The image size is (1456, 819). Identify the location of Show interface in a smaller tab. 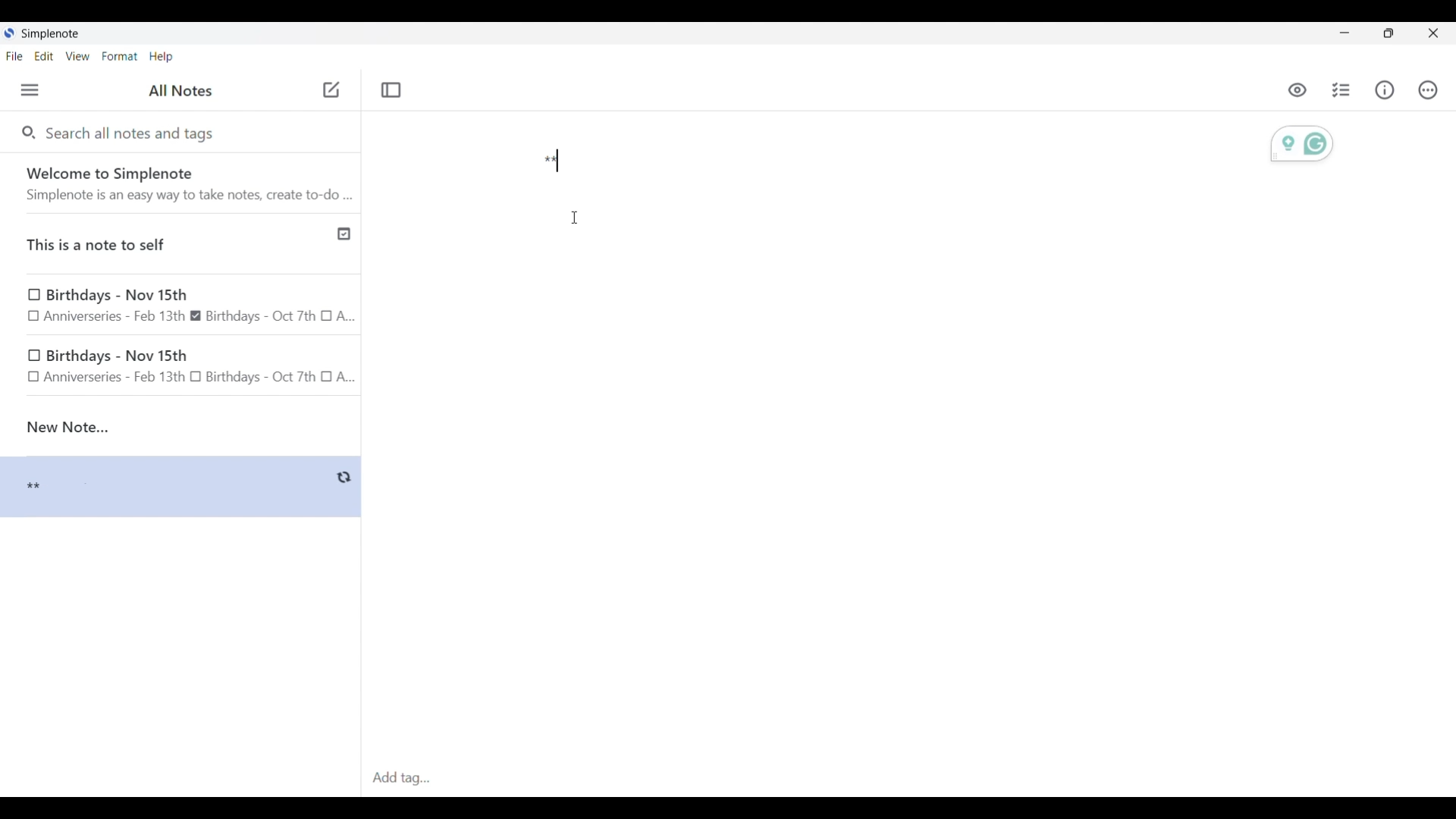
(1389, 33).